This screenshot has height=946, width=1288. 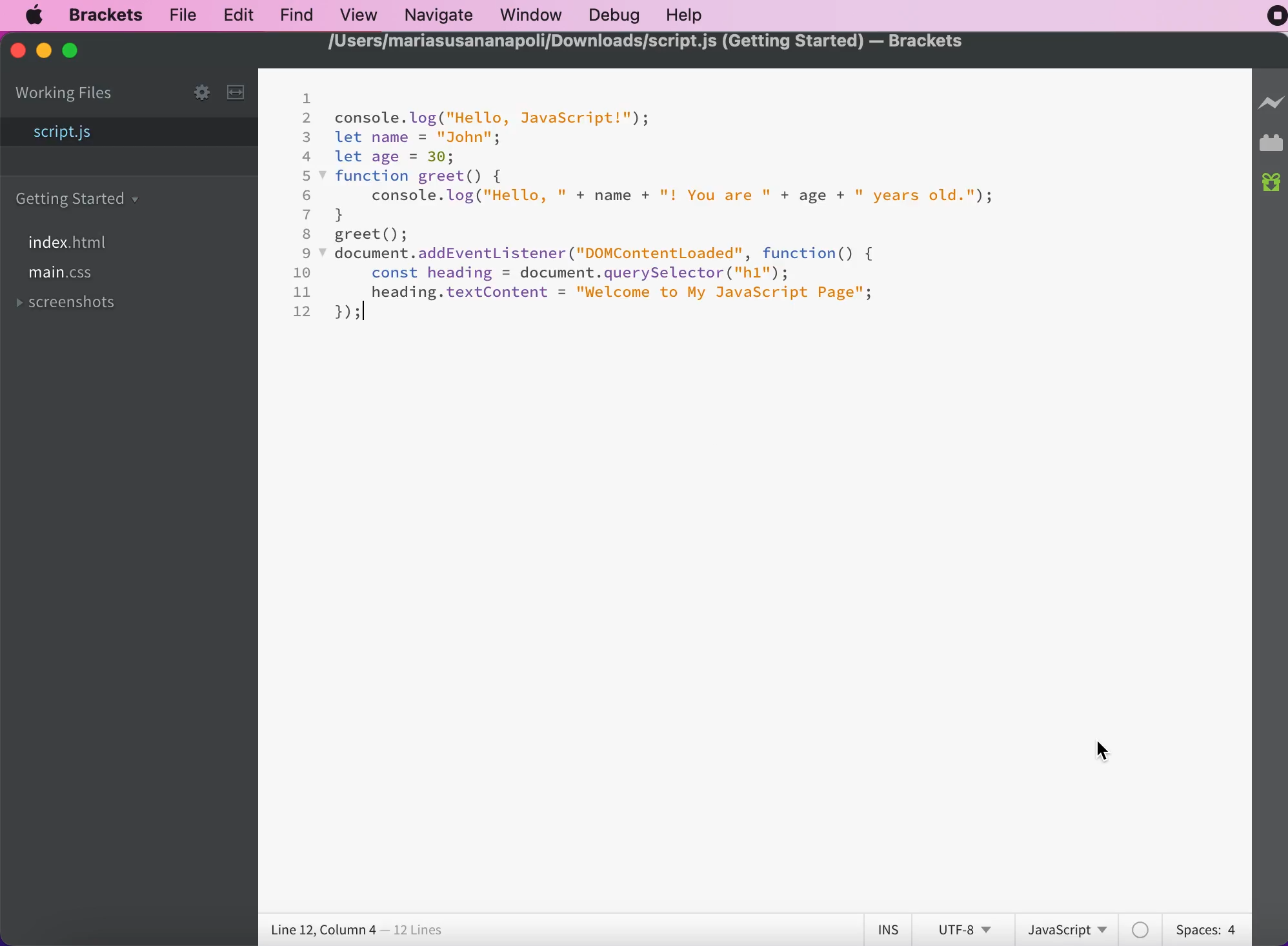 I want to click on extension manager, so click(x=1271, y=146).